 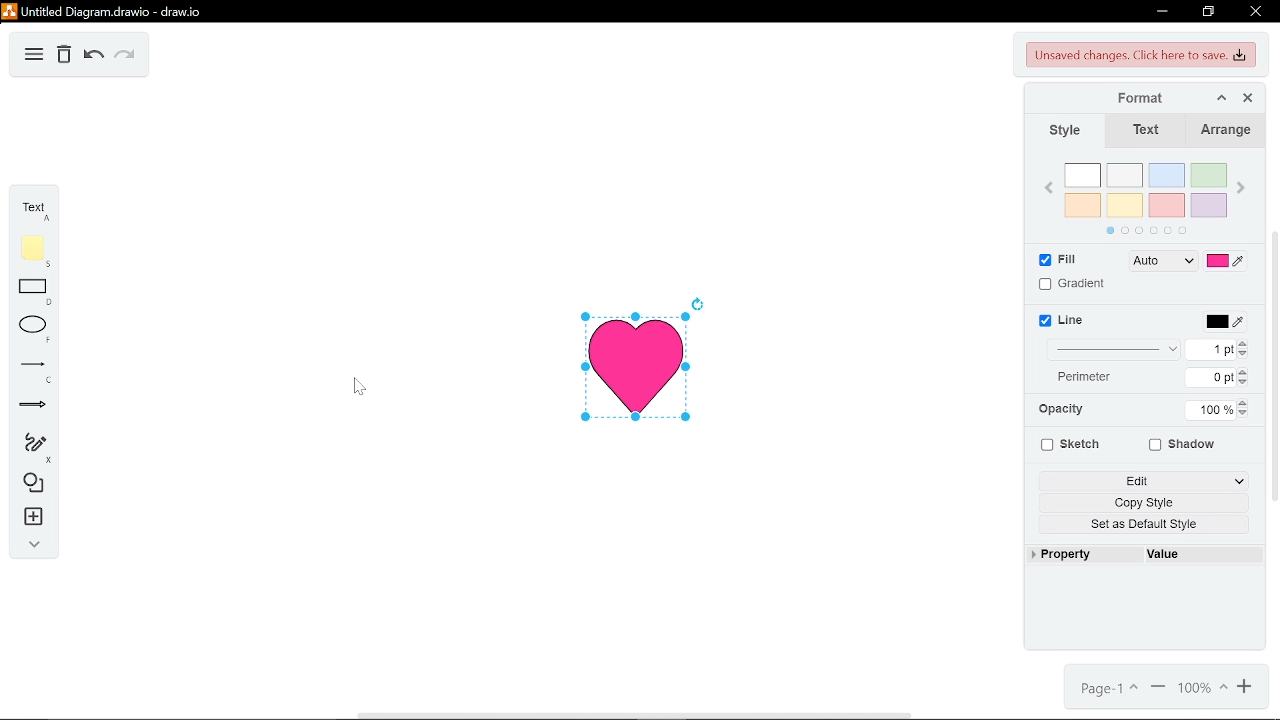 What do you see at coordinates (1150, 525) in the screenshot?
I see `set as default style` at bounding box center [1150, 525].